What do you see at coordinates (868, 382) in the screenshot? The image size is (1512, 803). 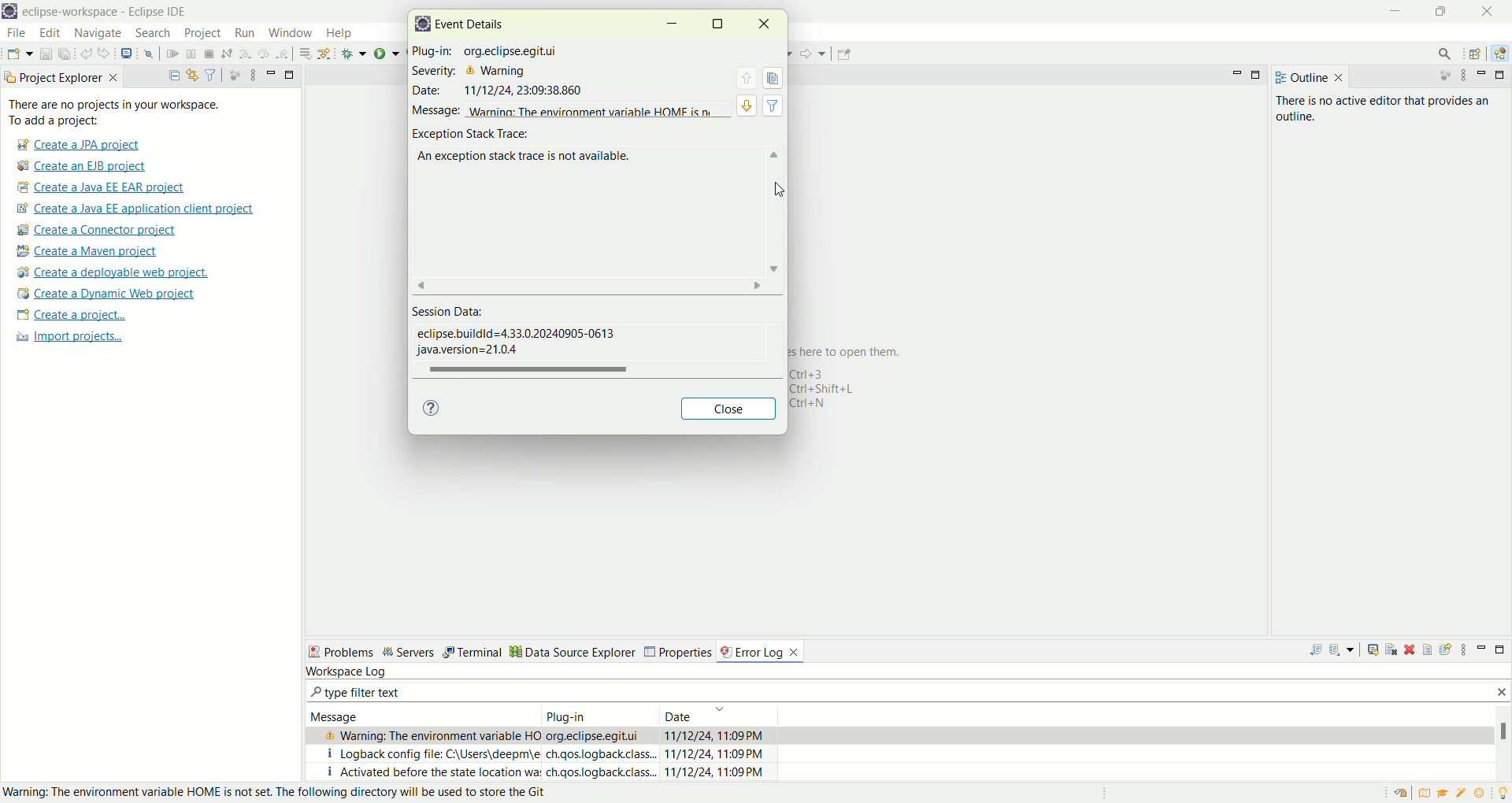 I see `here to open them.
143

1+Shift+L

1+N` at bounding box center [868, 382].